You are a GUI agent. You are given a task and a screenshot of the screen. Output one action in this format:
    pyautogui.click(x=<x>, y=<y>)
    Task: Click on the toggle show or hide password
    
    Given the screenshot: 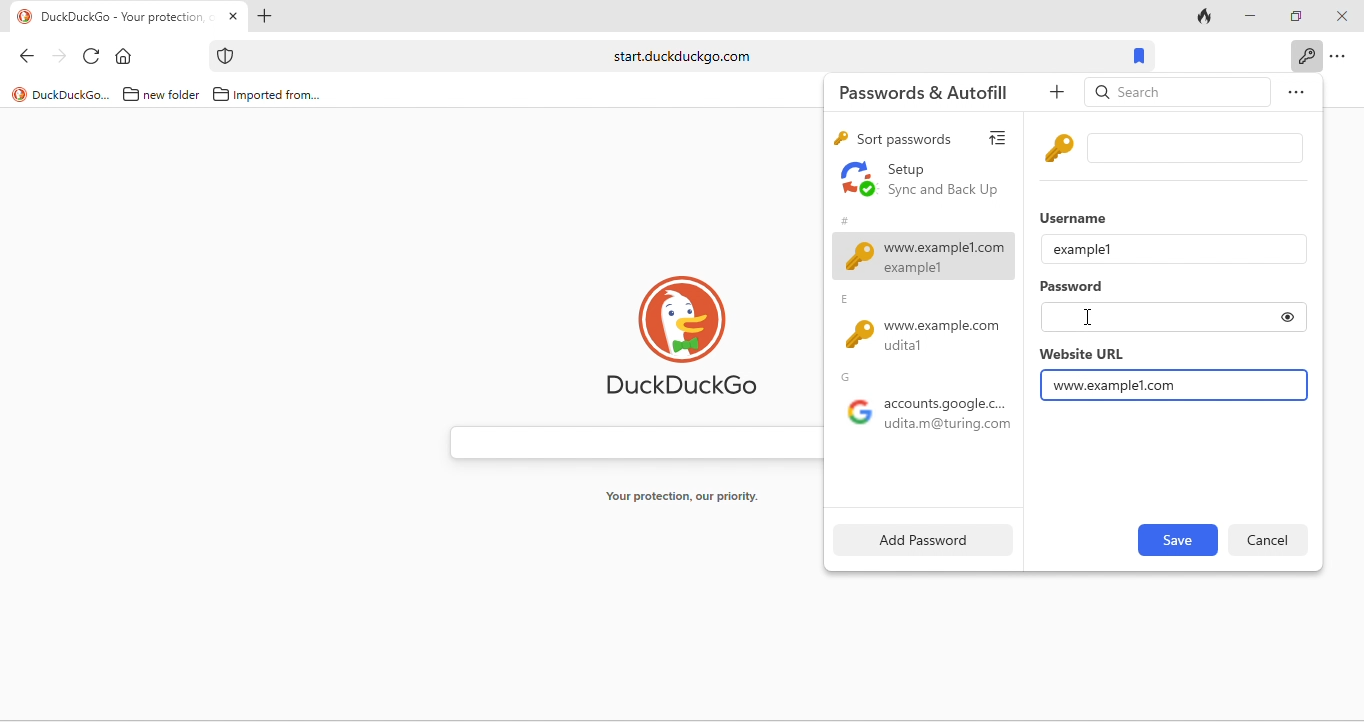 What is the action you would take?
    pyautogui.click(x=1288, y=317)
    